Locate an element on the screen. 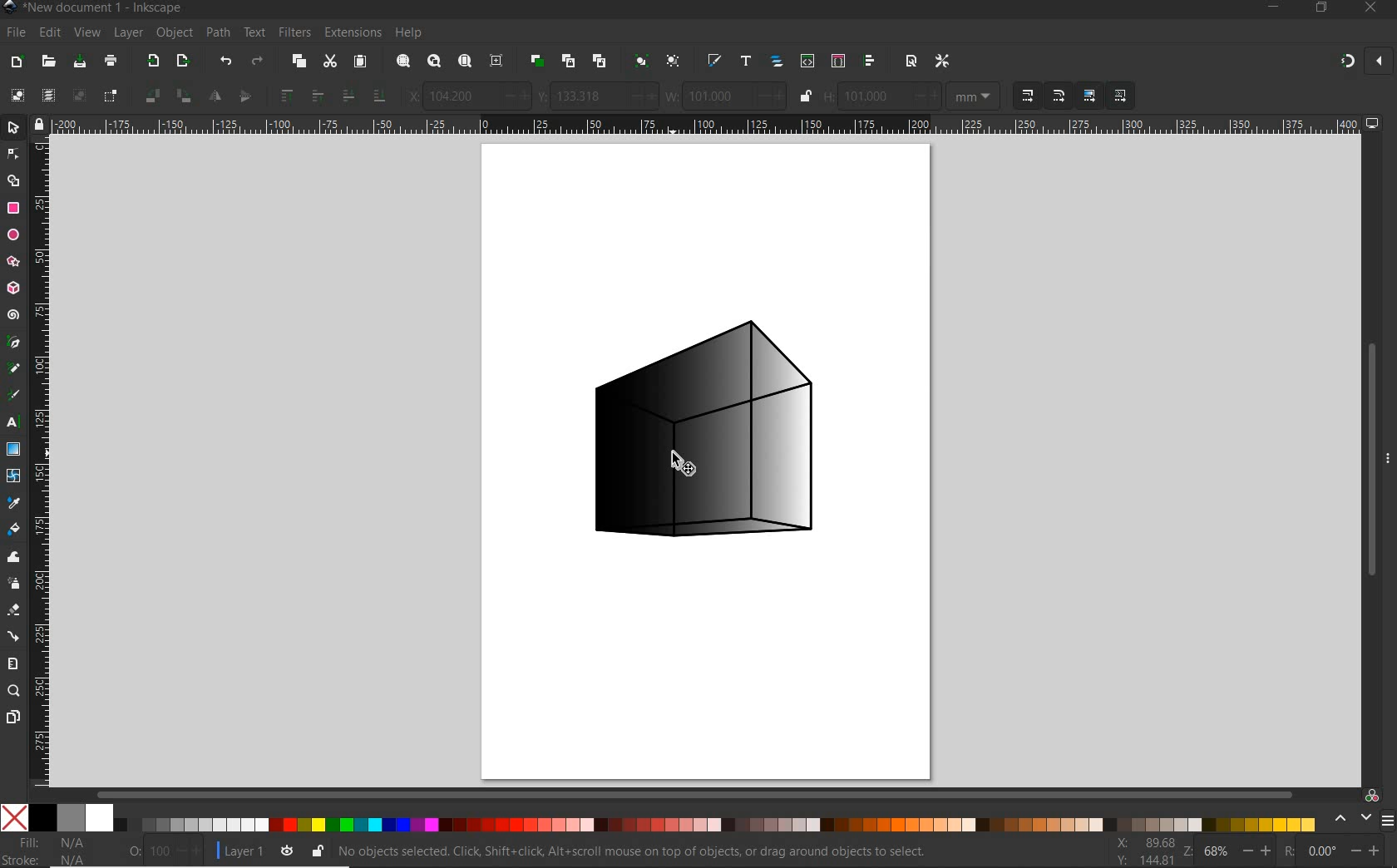 The image size is (1397, 868). MOVE PATTERNS is located at coordinates (1118, 96).